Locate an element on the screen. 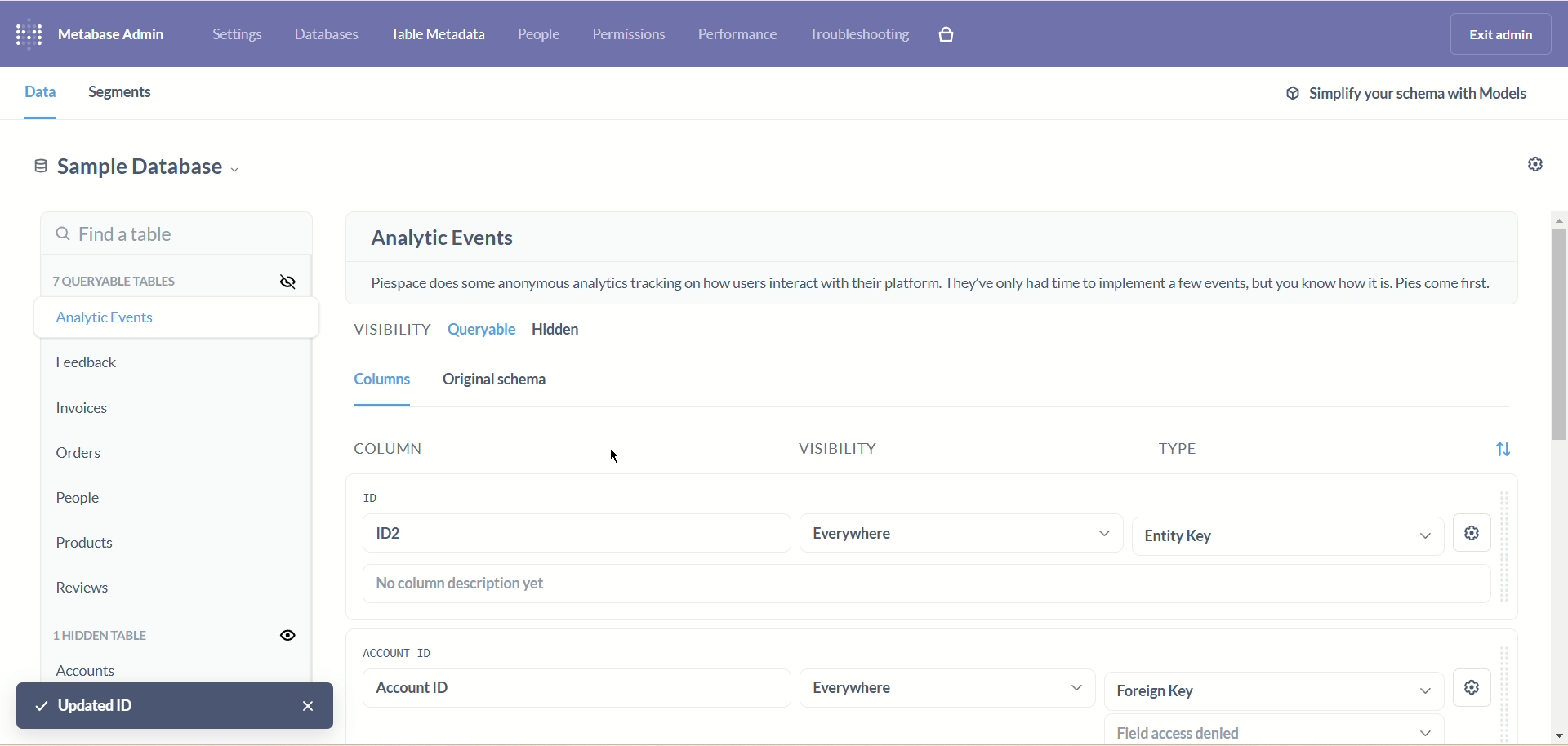 The width and height of the screenshot is (1568, 746). Settings is located at coordinates (238, 34).